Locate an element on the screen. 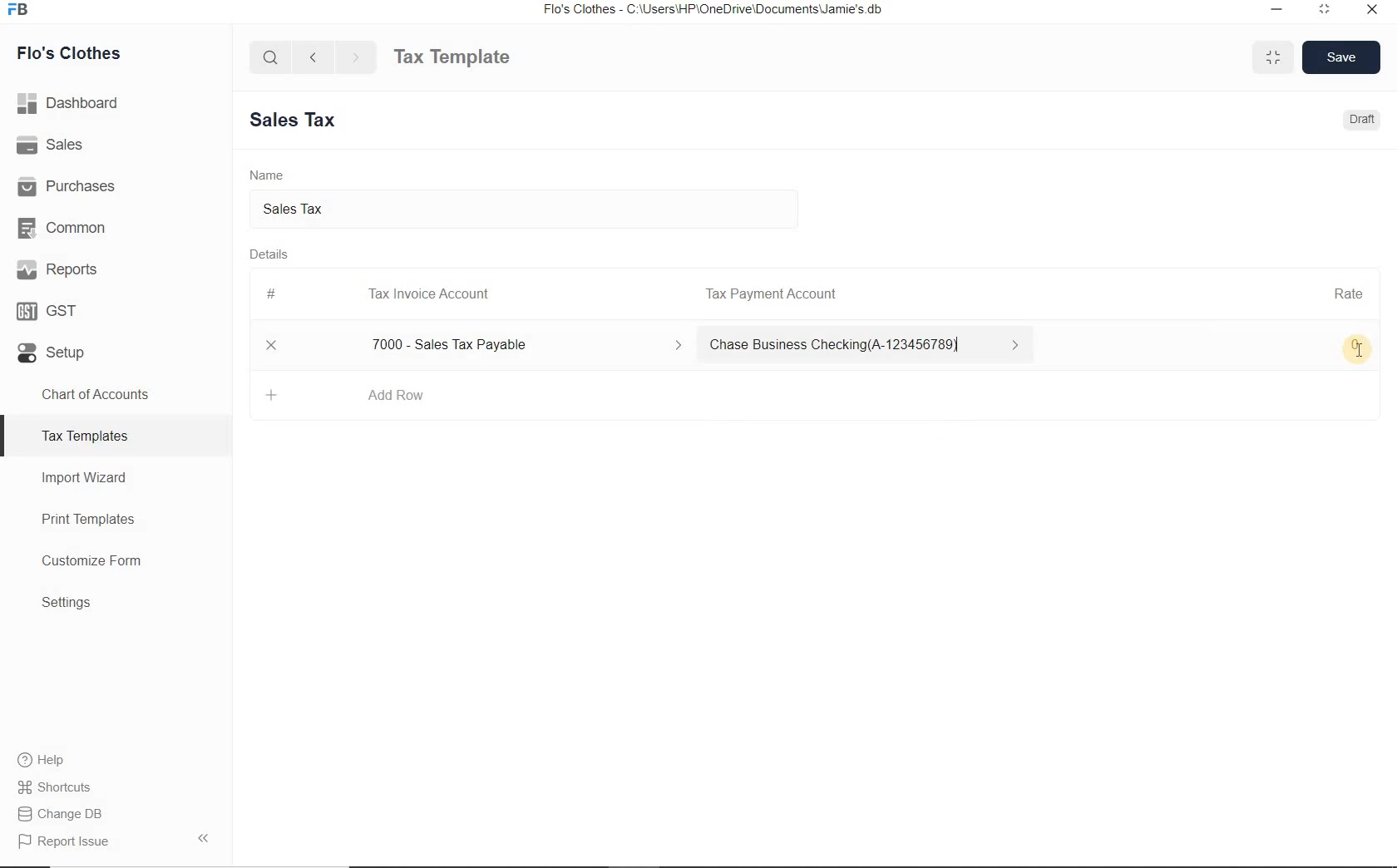 Image resolution: width=1397 pixels, height=868 pixels. Draft is located at coordinates (1364, 119).